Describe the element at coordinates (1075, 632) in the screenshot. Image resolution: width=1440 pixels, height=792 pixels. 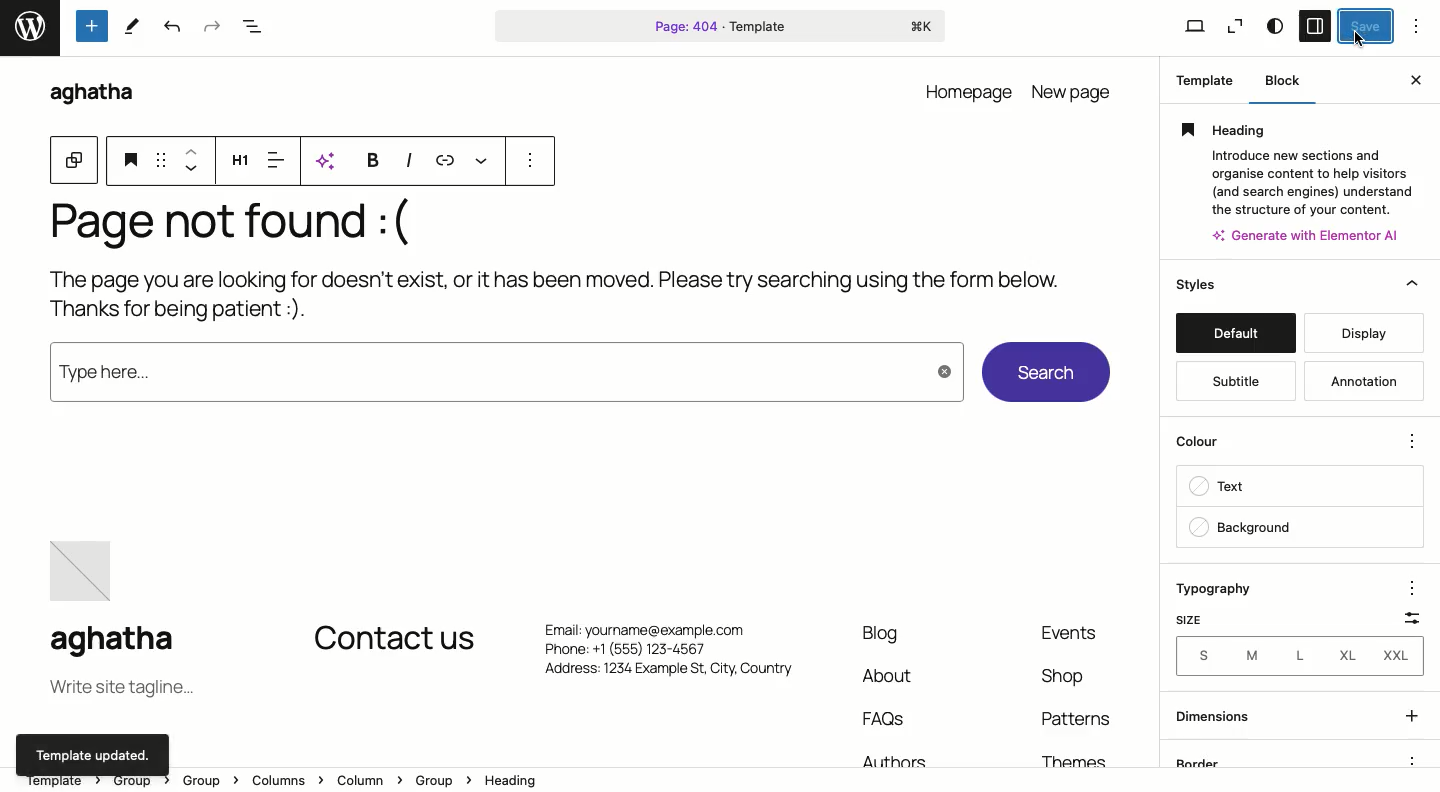
I see `event` at that location.